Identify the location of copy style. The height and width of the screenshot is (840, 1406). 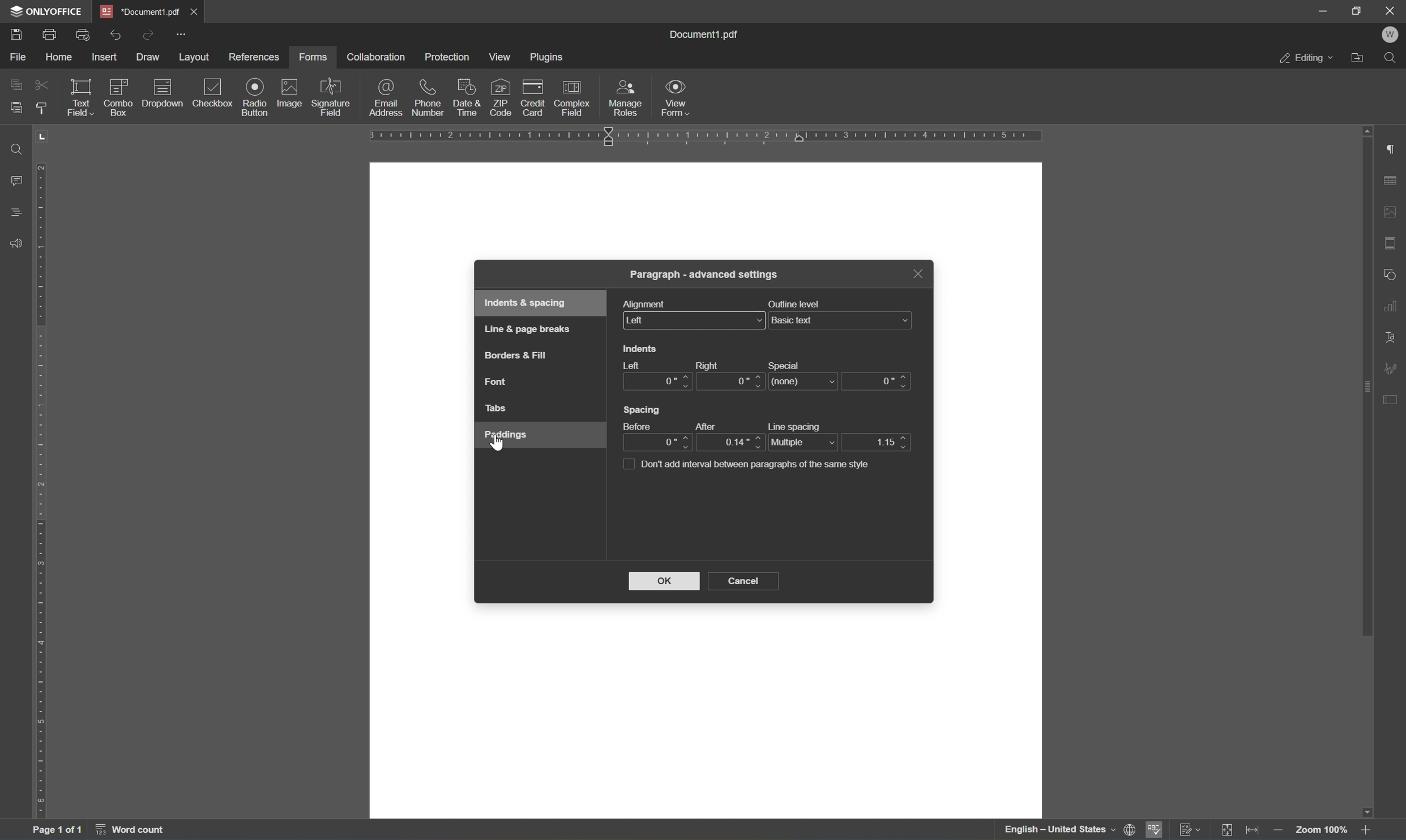
(41, 108).